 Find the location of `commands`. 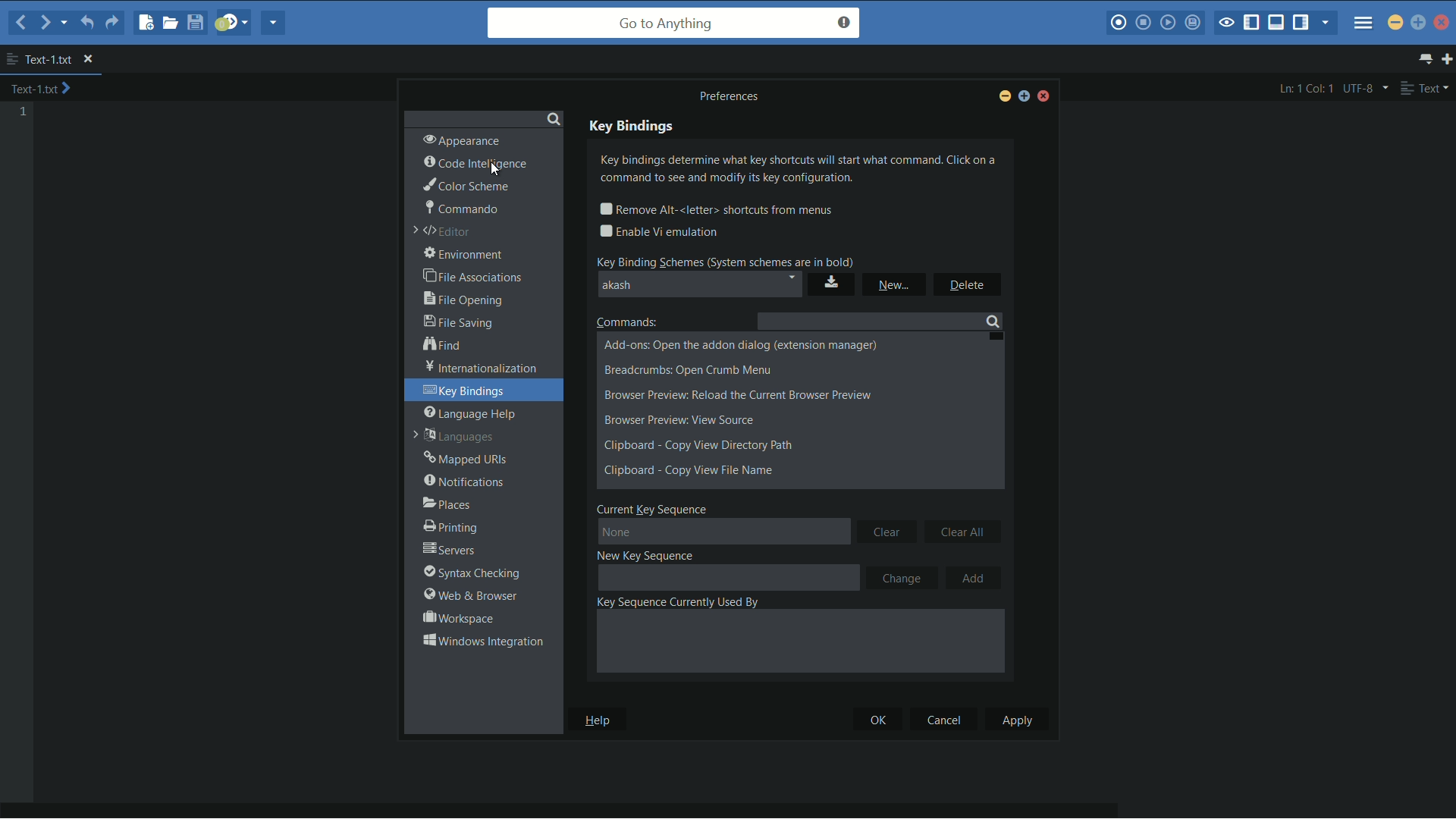

commands is located at coordinates (629, 321).